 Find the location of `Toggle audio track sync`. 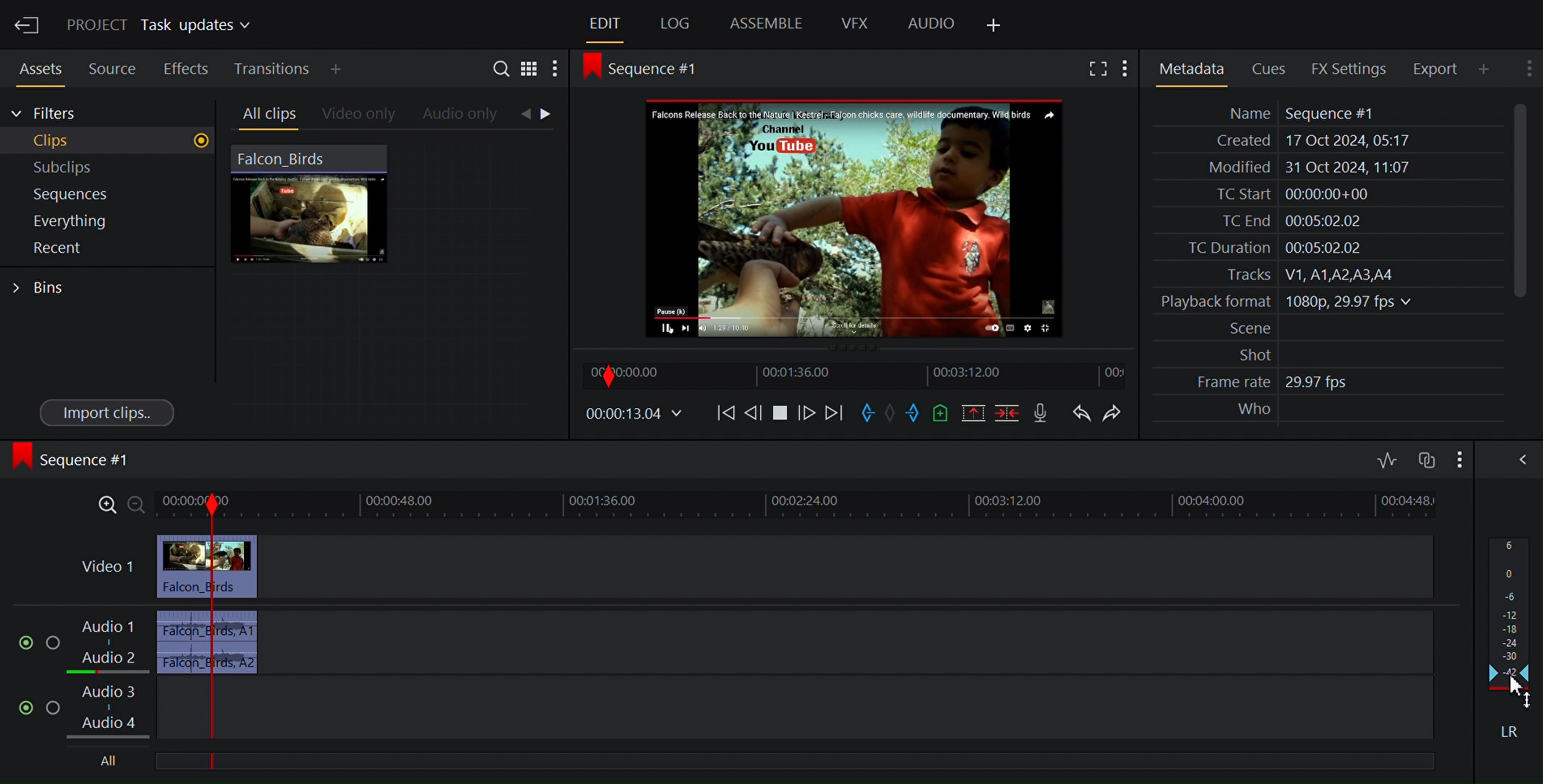

Toggle audio track sync is located at coordinates (1425, 458).